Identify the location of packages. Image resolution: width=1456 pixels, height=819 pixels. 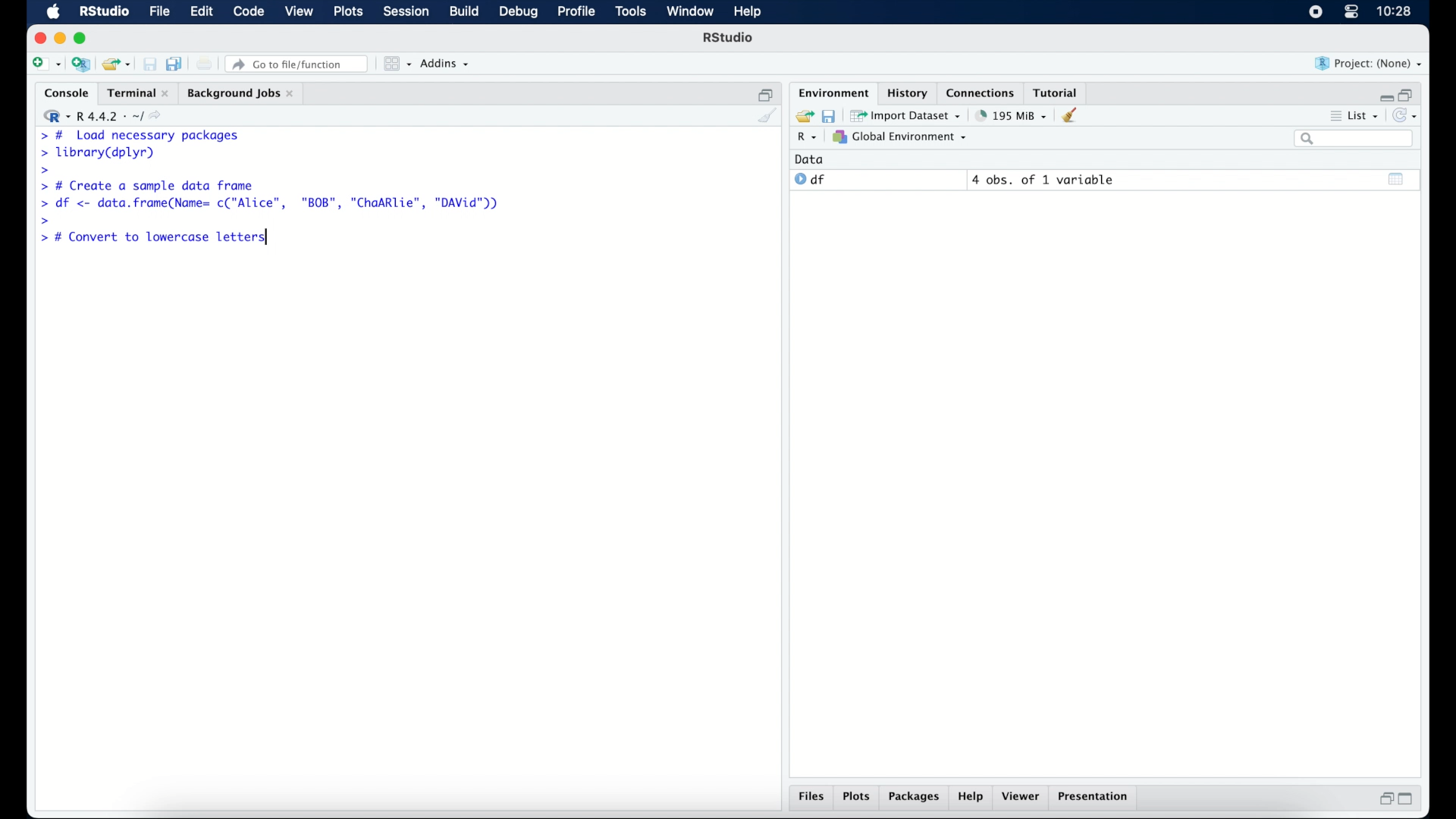
(915, 799).